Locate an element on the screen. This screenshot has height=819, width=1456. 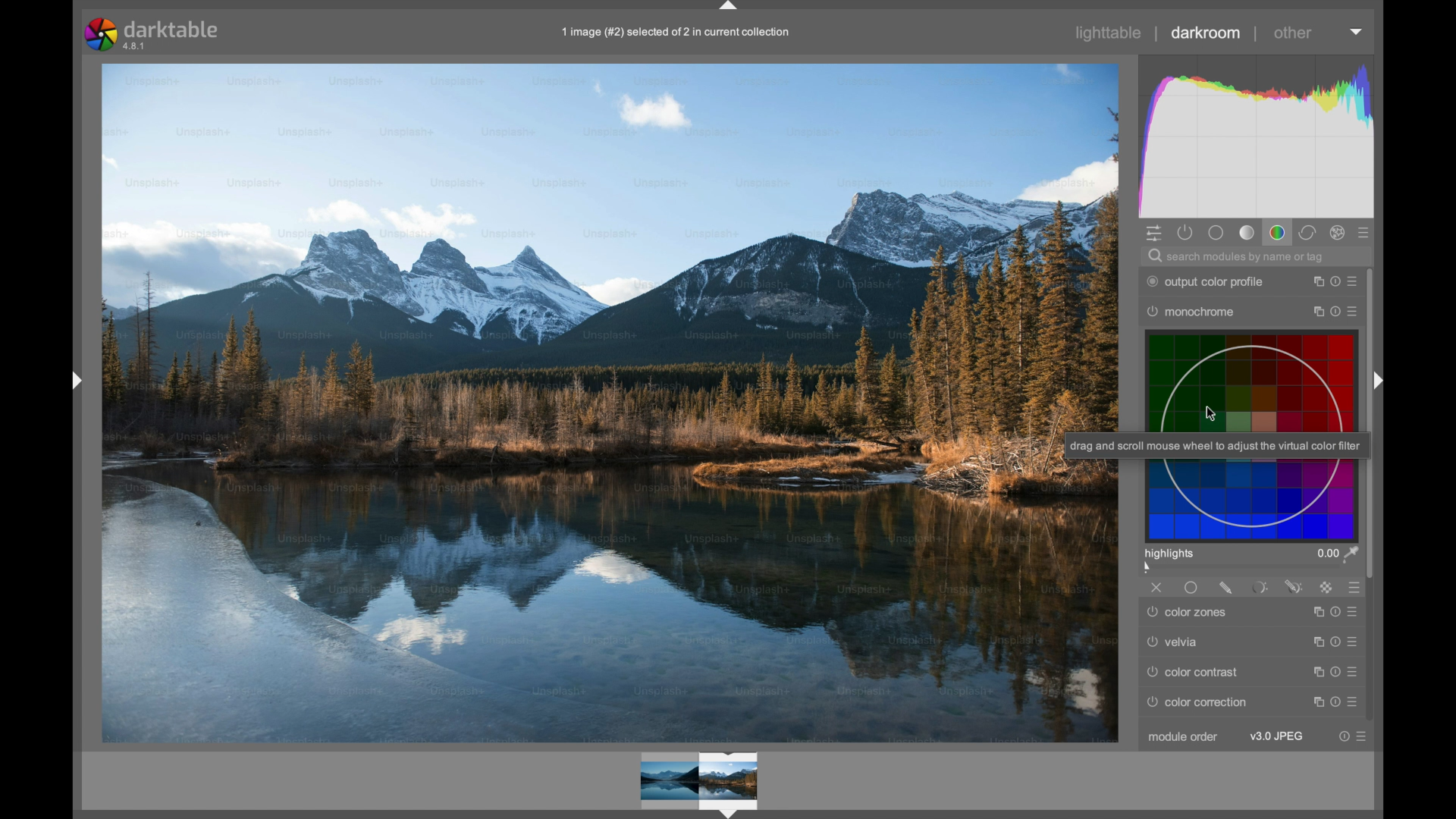
module order is located at coordinates (1182, 738).